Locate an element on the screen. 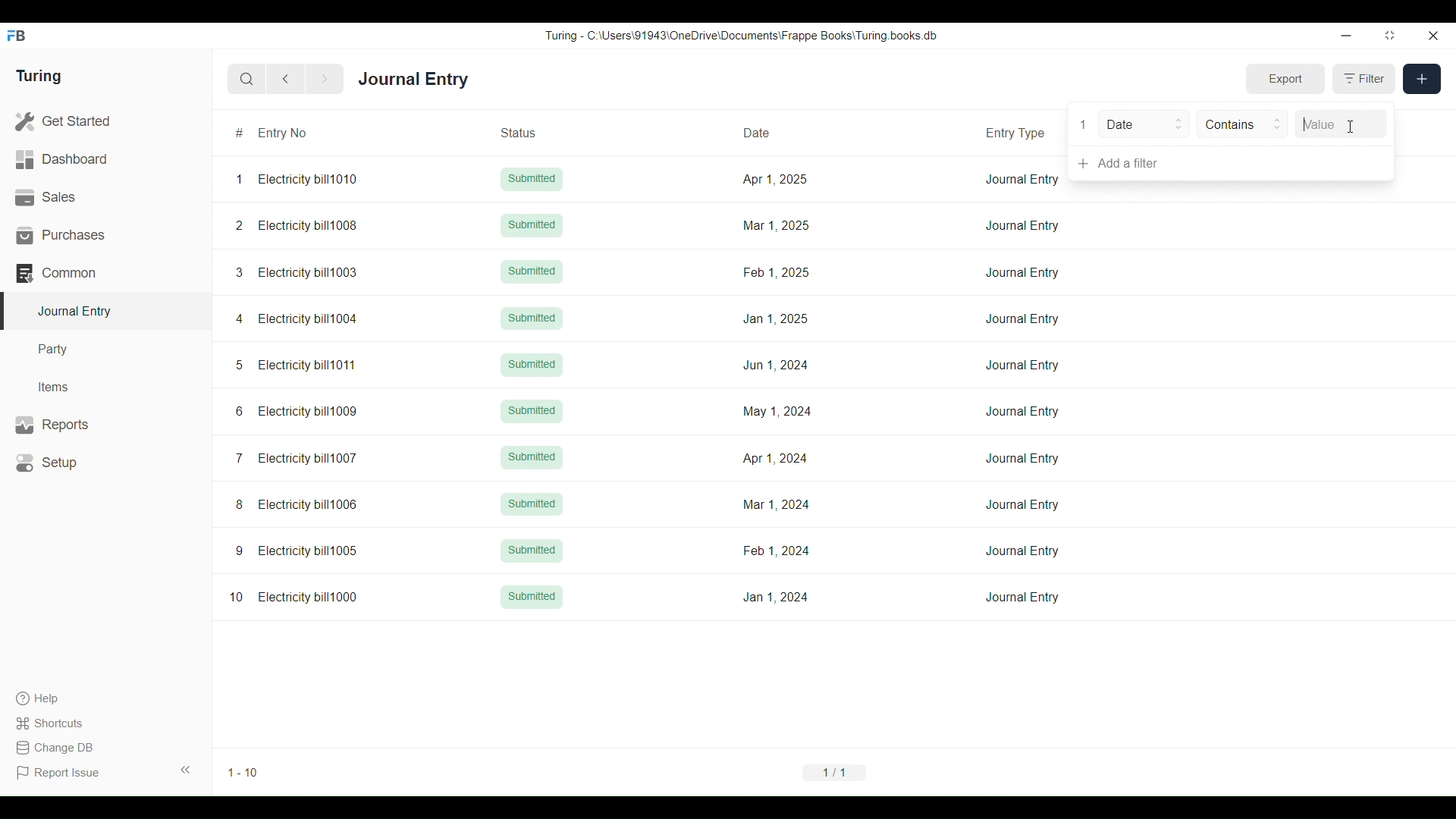  Turing is located at coordinates (39, 76).